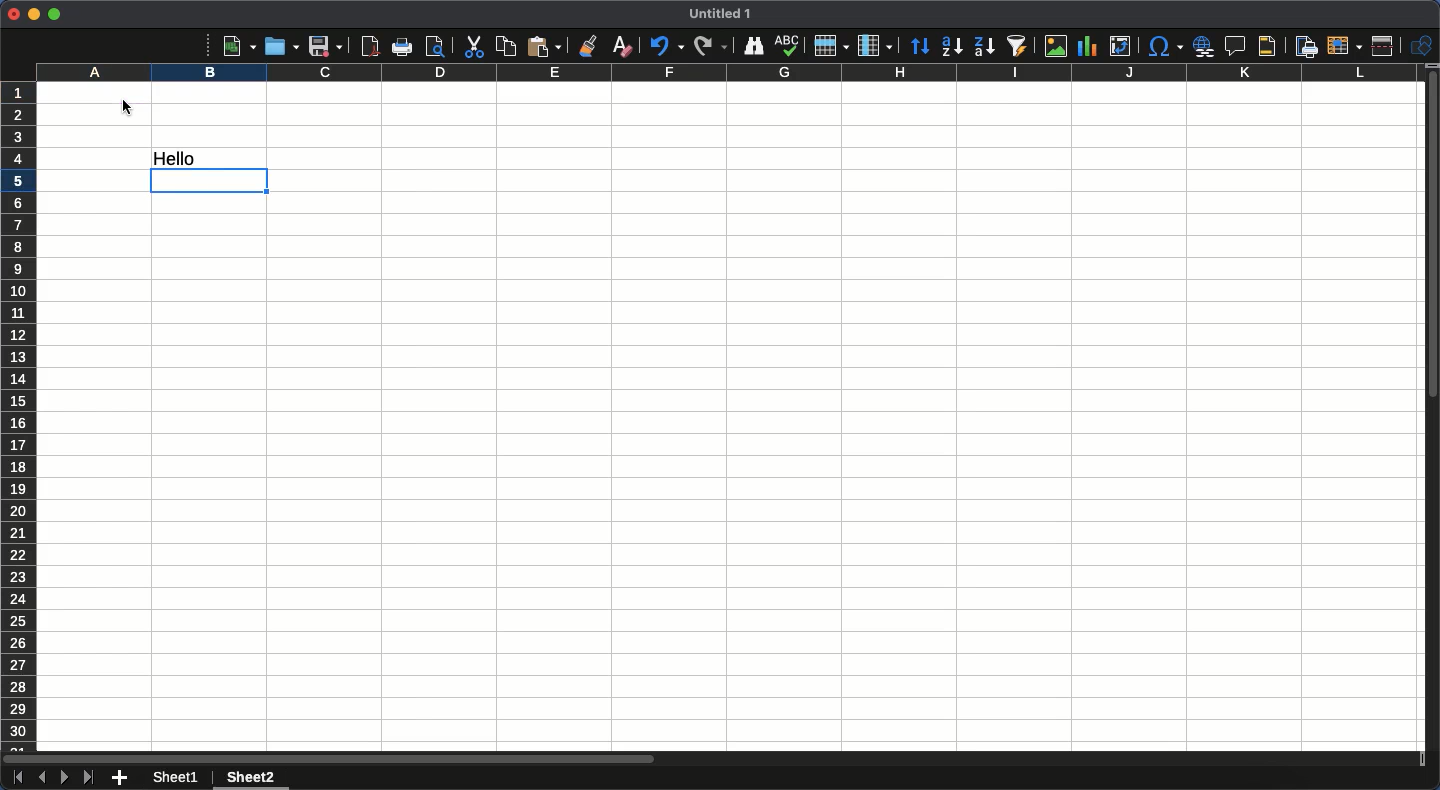  Describe the element at coordinates (435, 46) in the screenshot. I see `Print preview` at that location.